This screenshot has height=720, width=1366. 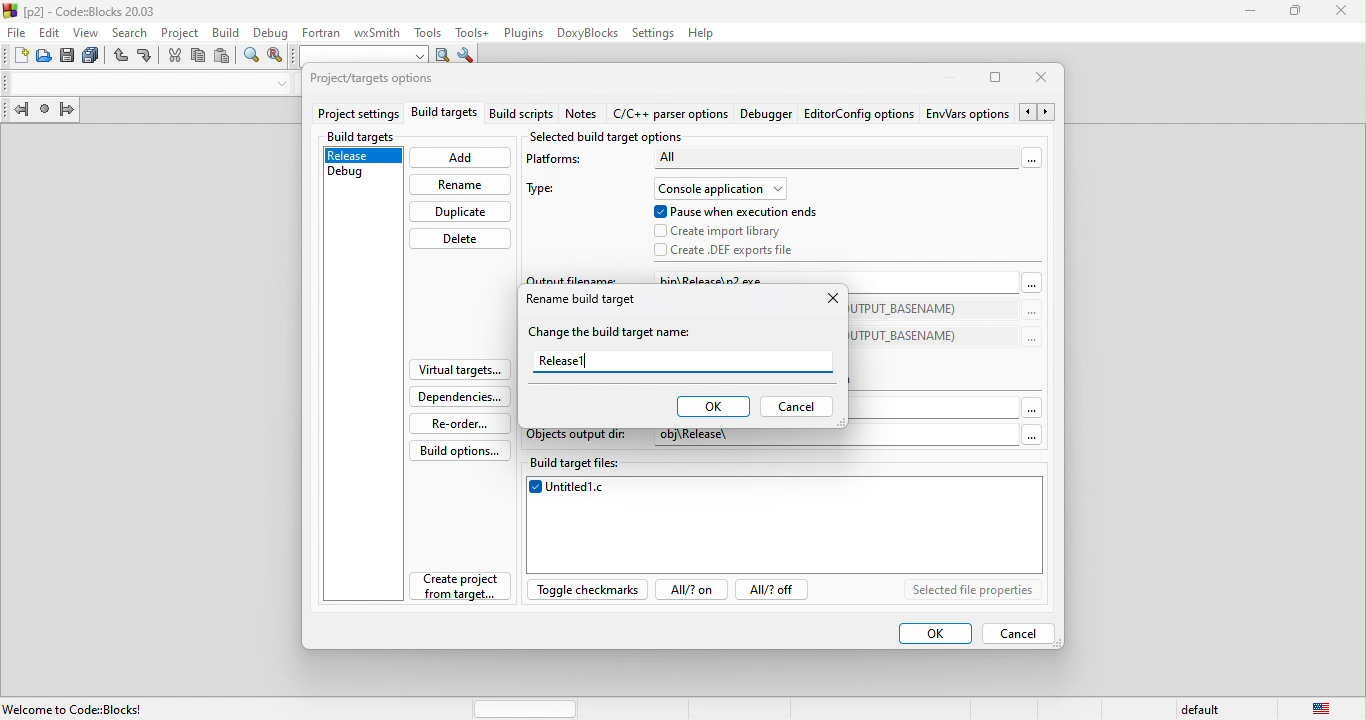 I want to click on new, so click(x=15, y=58).